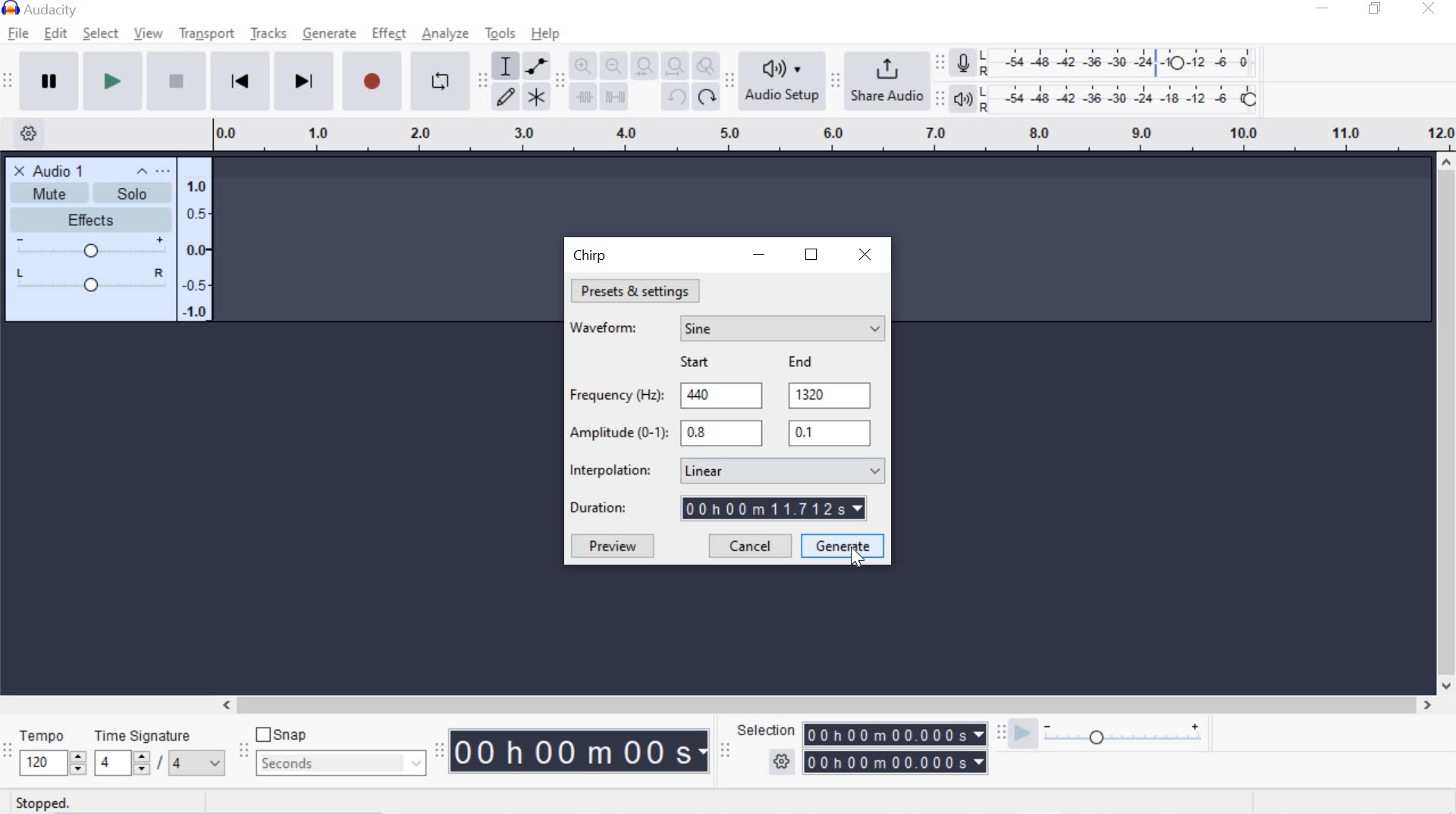  I want to click on silence audio selection, so click(616, 96).